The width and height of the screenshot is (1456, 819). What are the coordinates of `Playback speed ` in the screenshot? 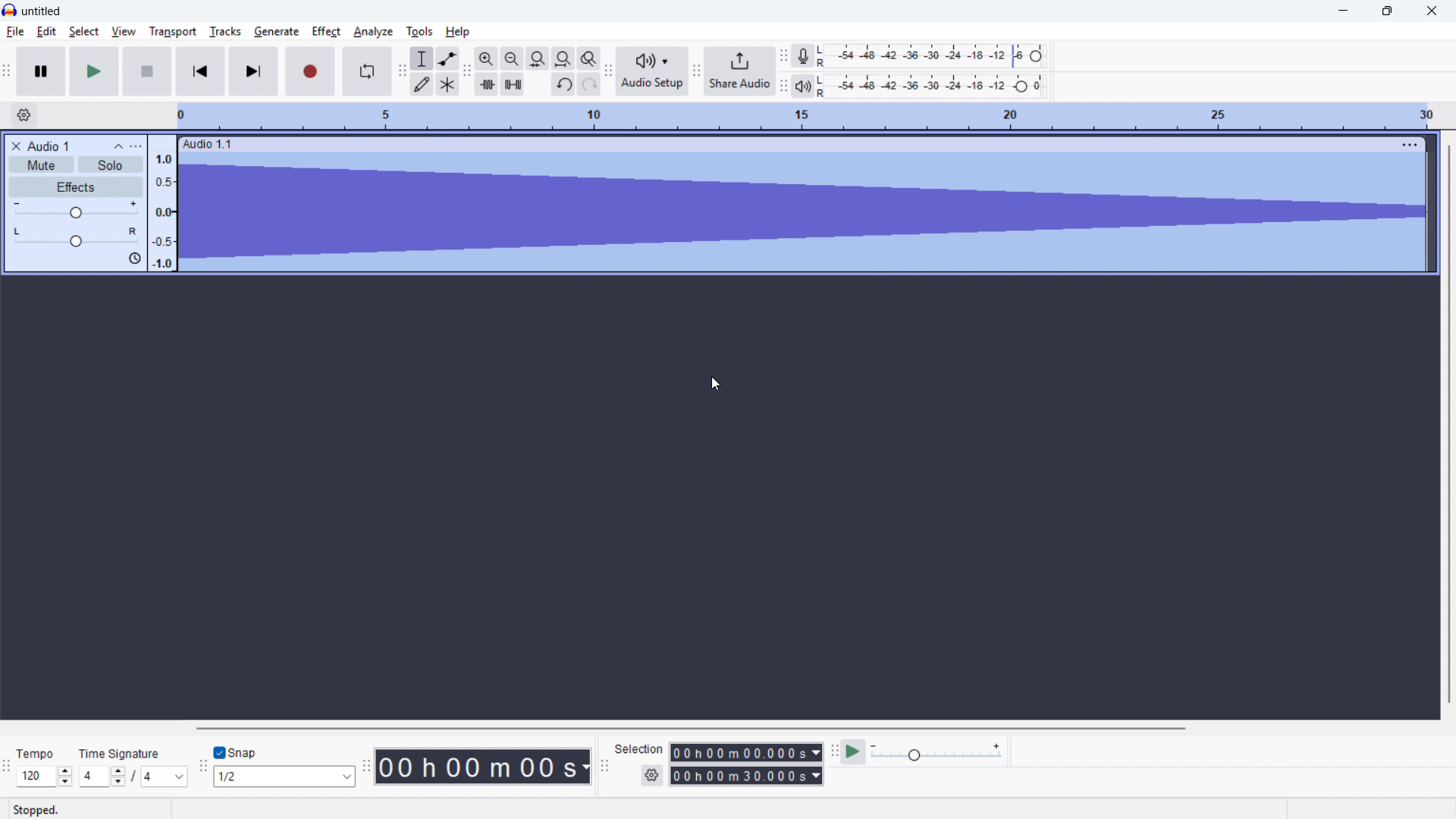 It's located at (937, 752).